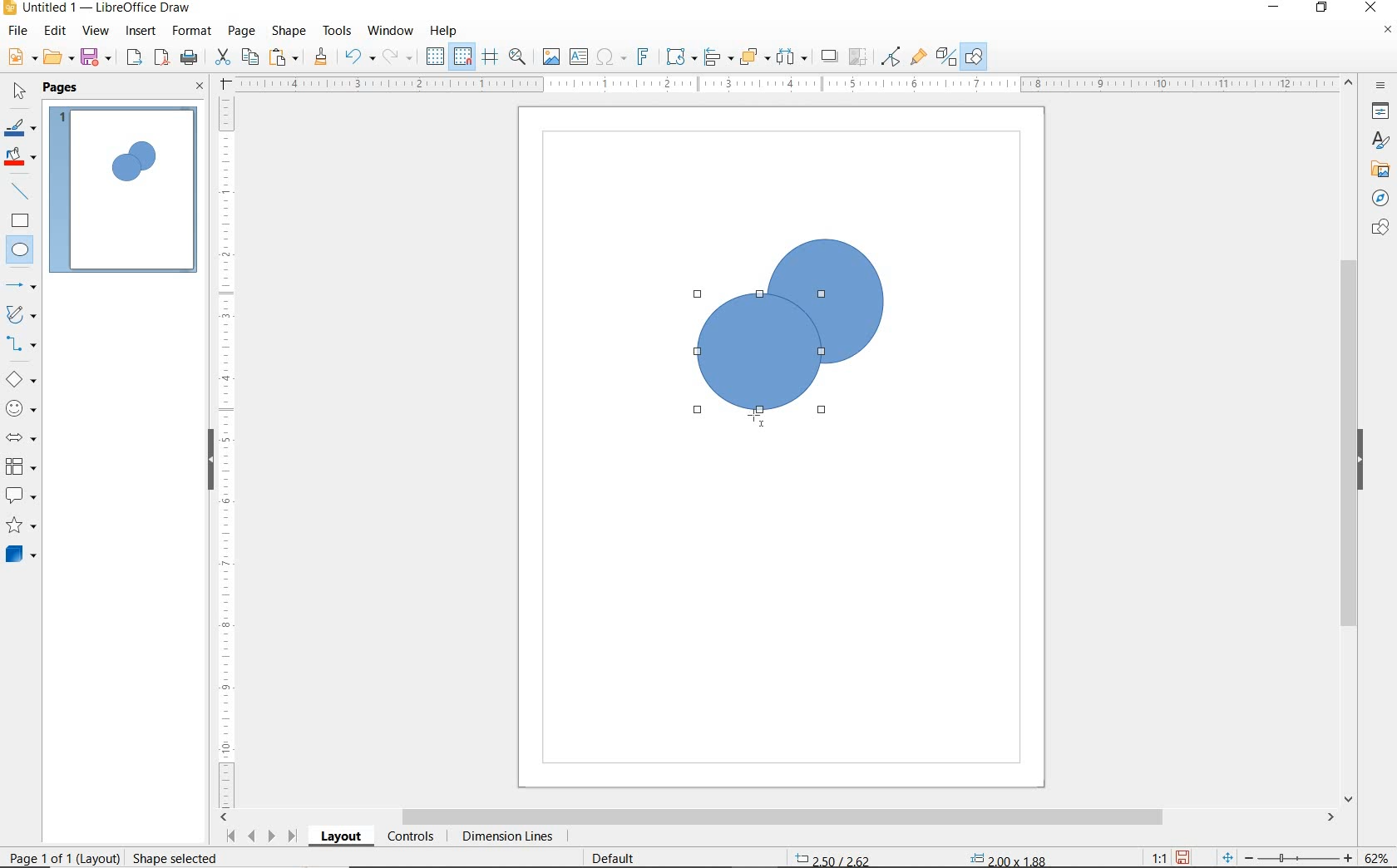 The image size is (1397, 868). I want to click on INSERT SPECIAL CHARACTERS, so click(609, 58).